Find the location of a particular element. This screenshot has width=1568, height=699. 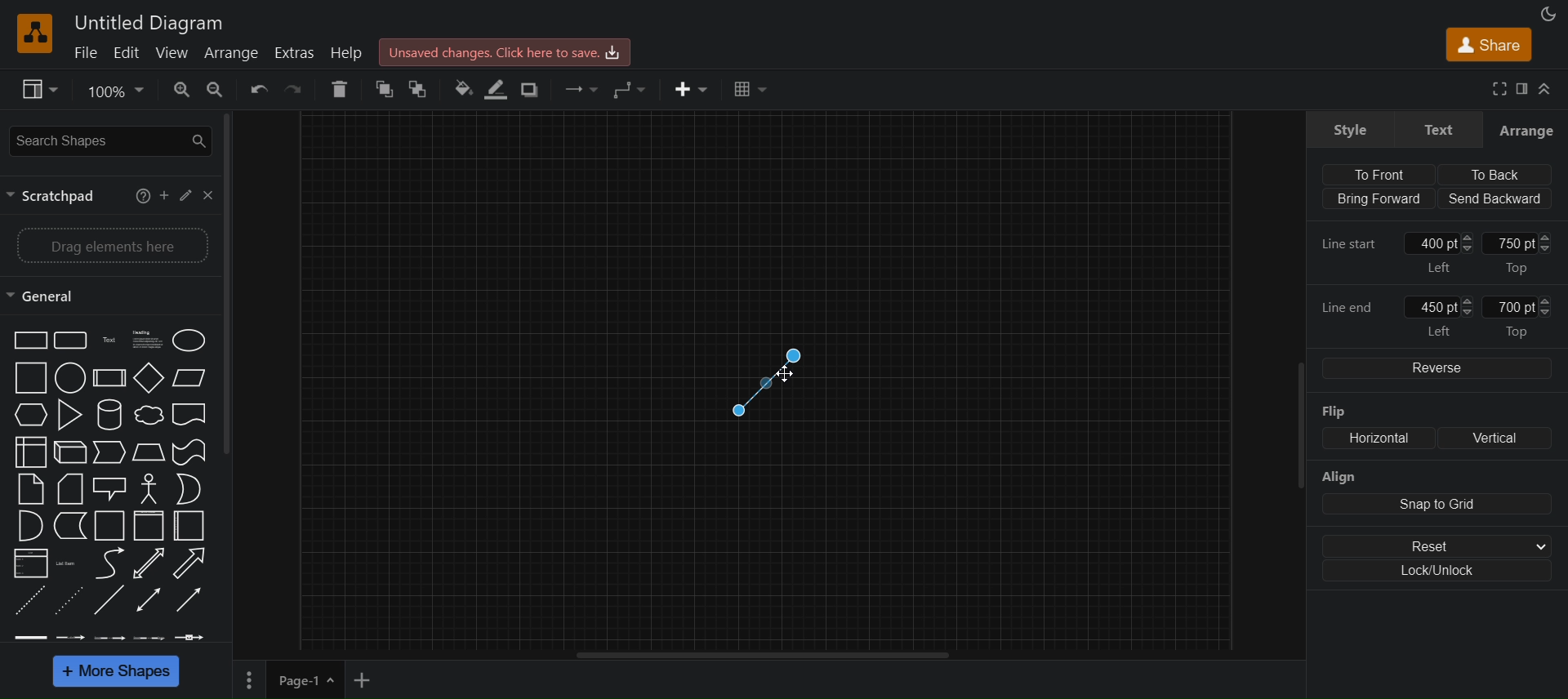

700 pt top is located at coordinates (1529, 316).